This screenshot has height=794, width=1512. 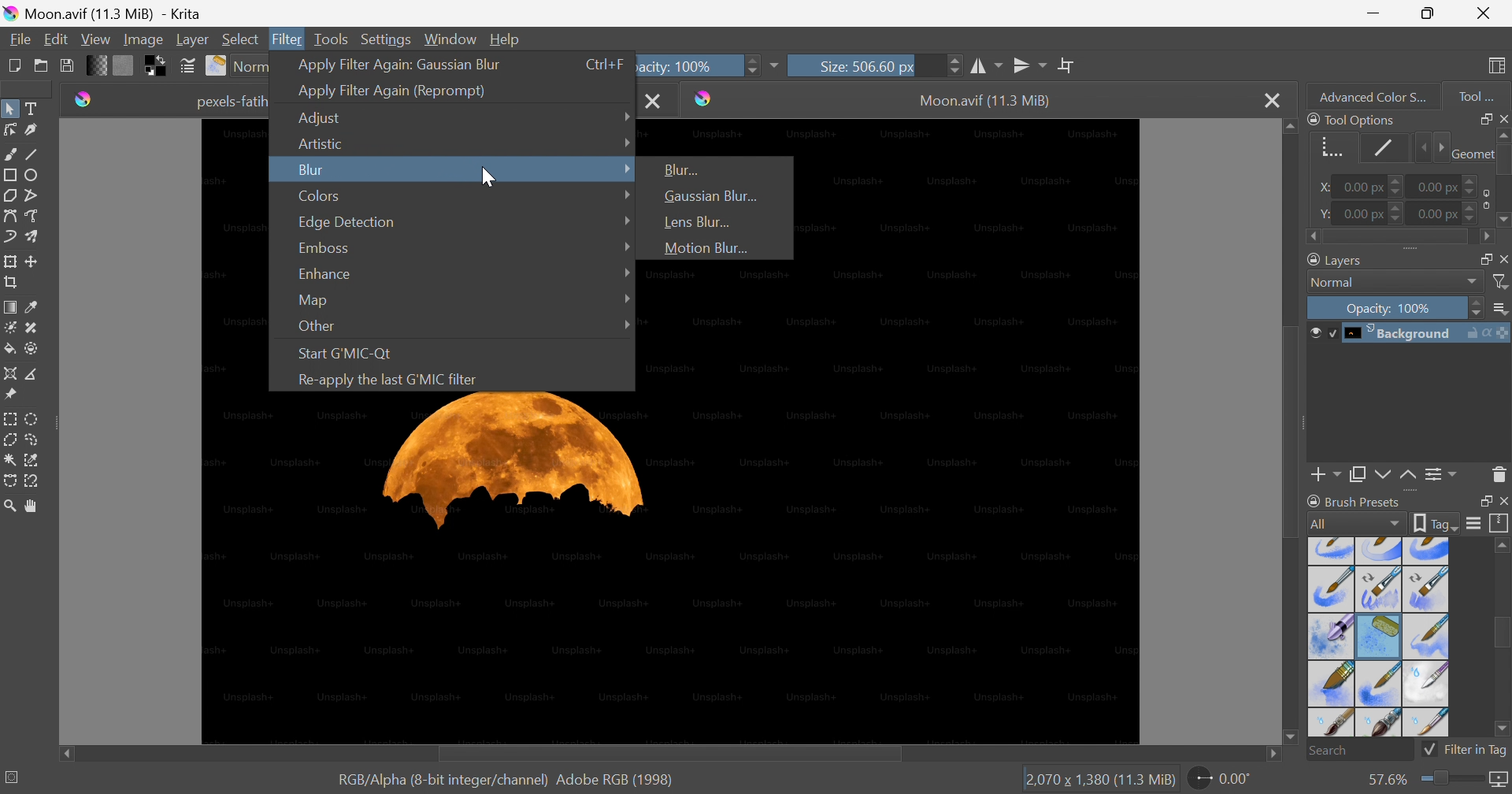 I want to click on Drop Down, so click(x=624, y=220).